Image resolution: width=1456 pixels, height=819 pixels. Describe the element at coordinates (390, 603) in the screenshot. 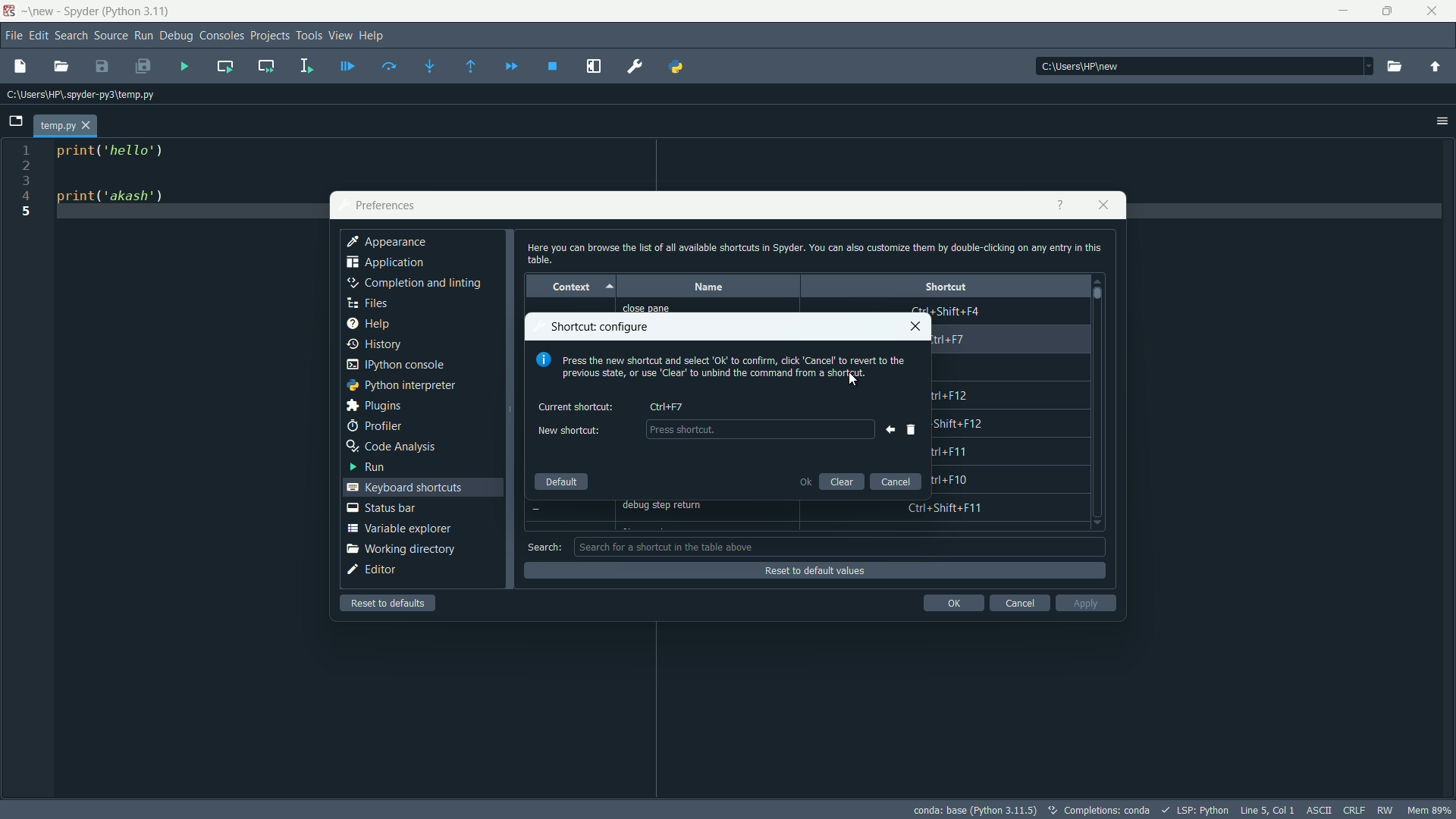

I see `reset to default` at that location.